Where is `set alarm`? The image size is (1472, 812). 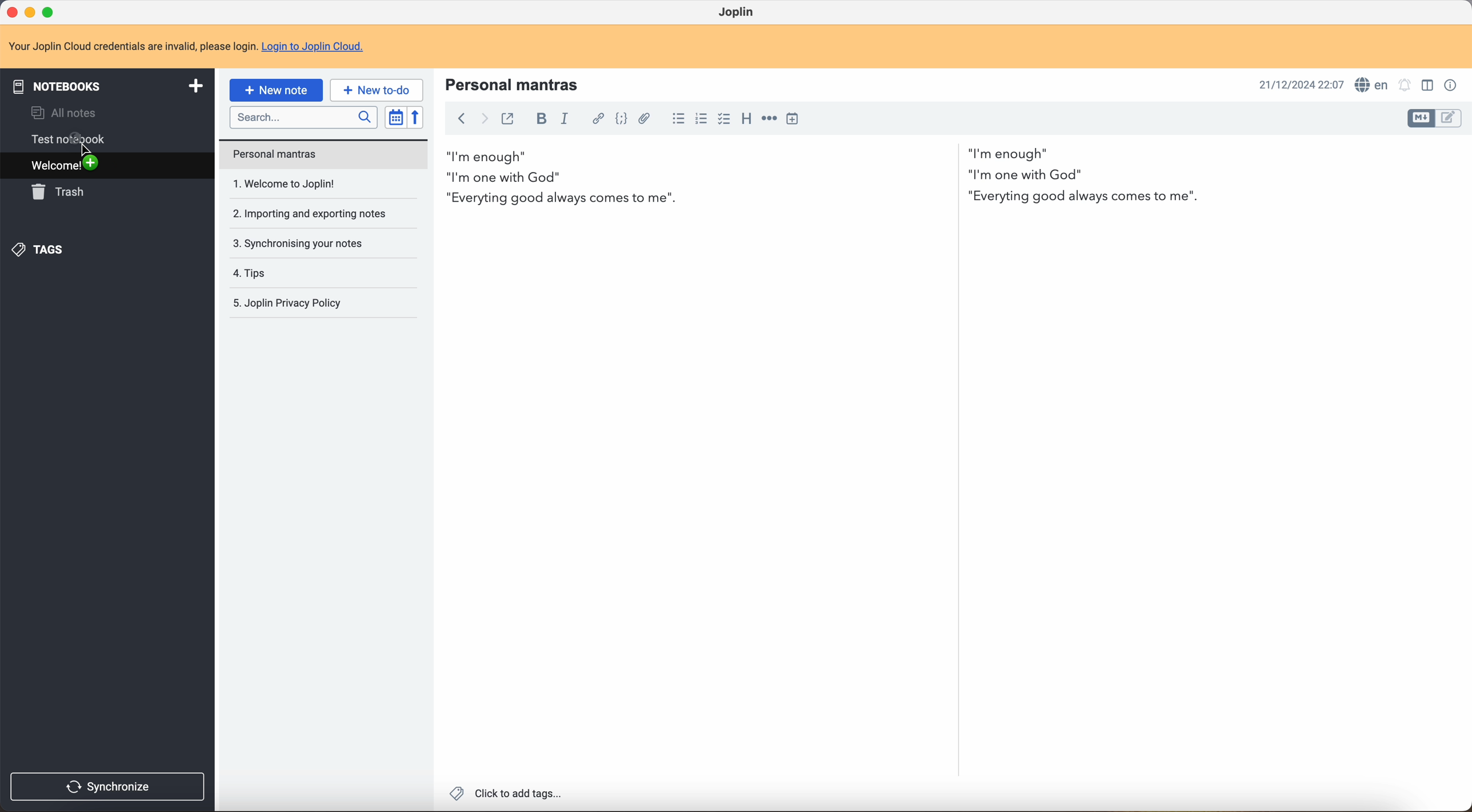 set alarm is located at coordinates (1403, 85).